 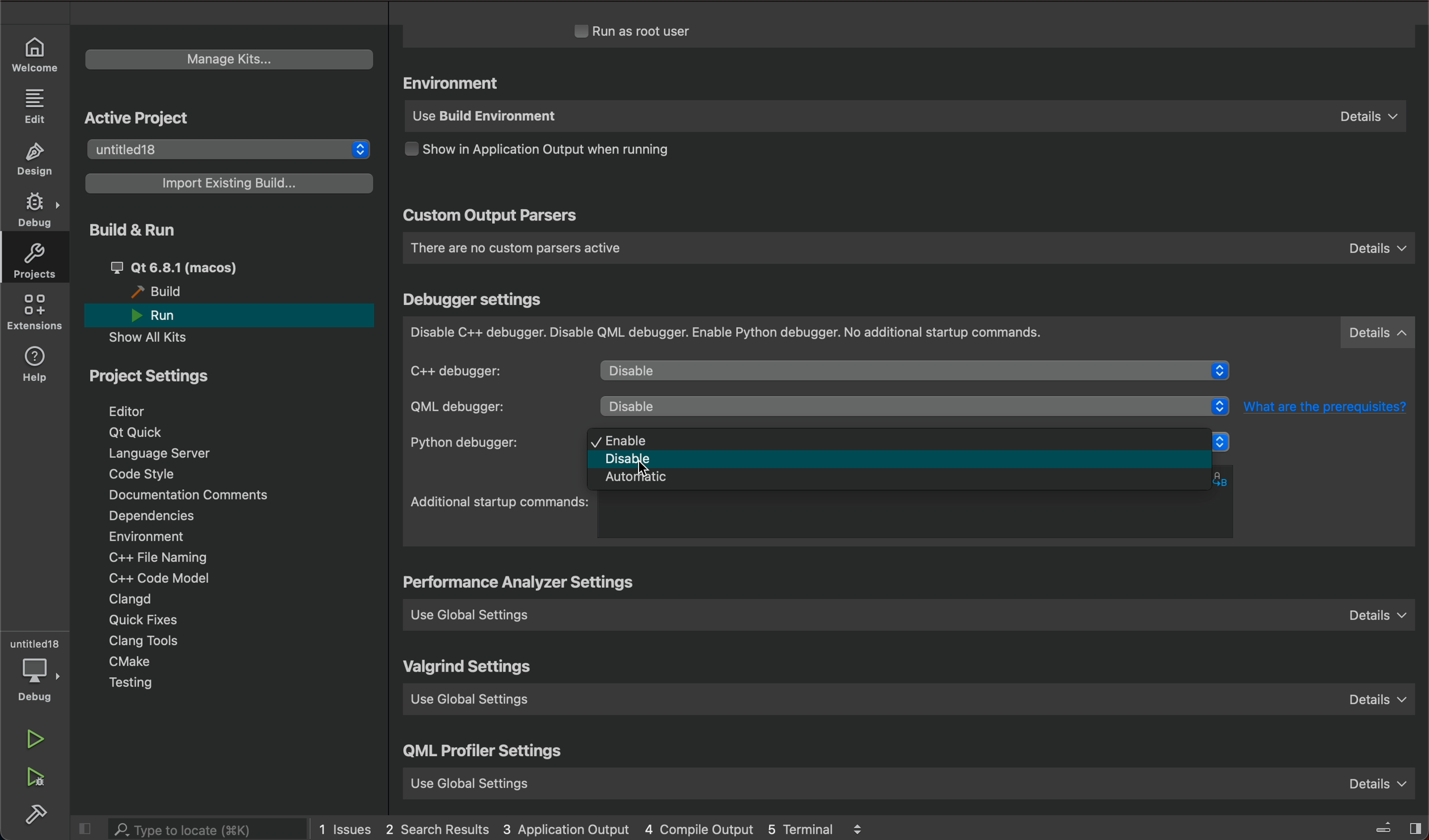 What do you see at coordinates (910, 333) in the screenshot?
I see `debugger` at bounding box center [910, 333].